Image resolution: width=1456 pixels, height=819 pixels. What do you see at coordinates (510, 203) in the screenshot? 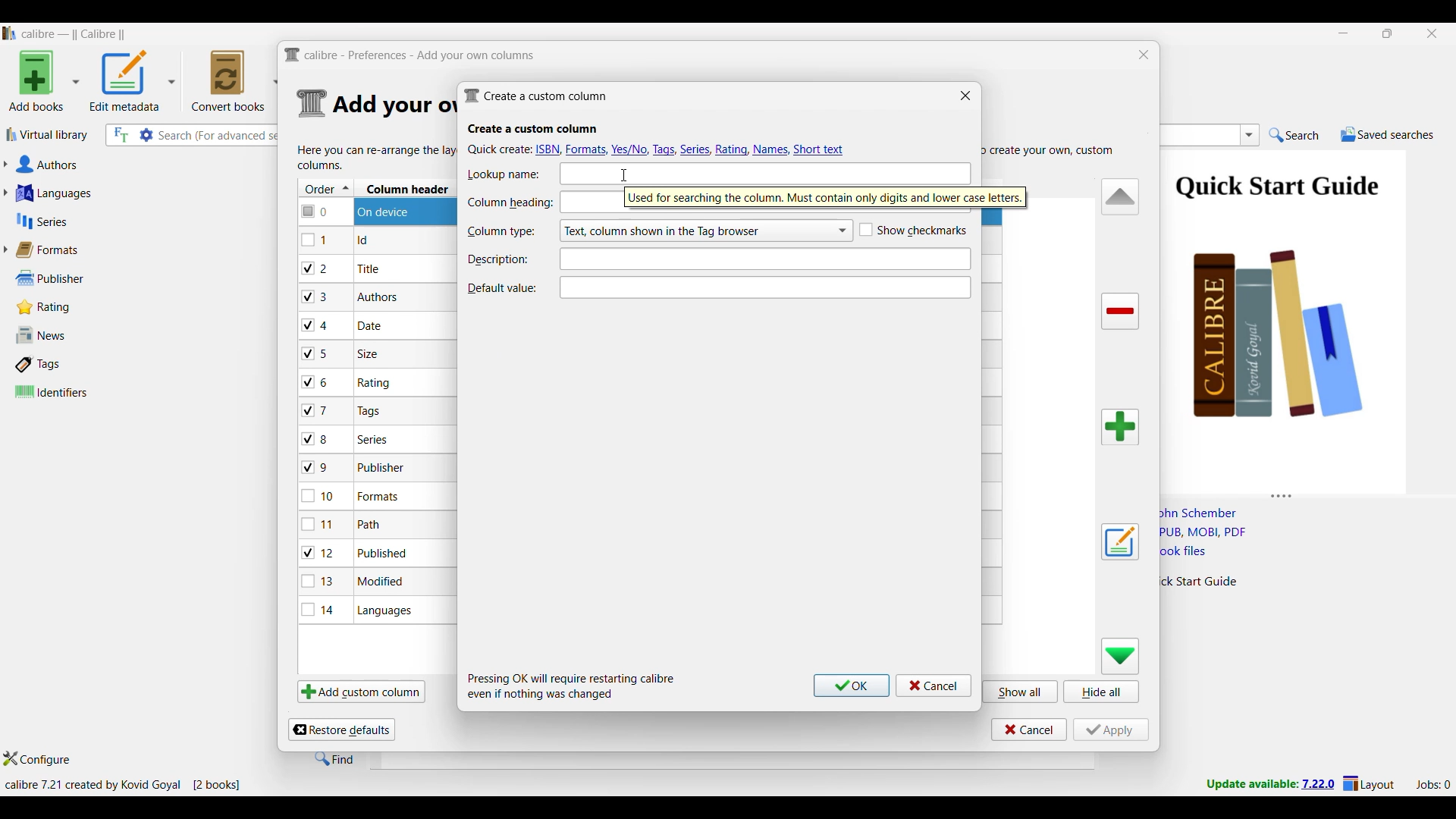
I see `Indicates Column heading text box` at bounding box center [510, 203].